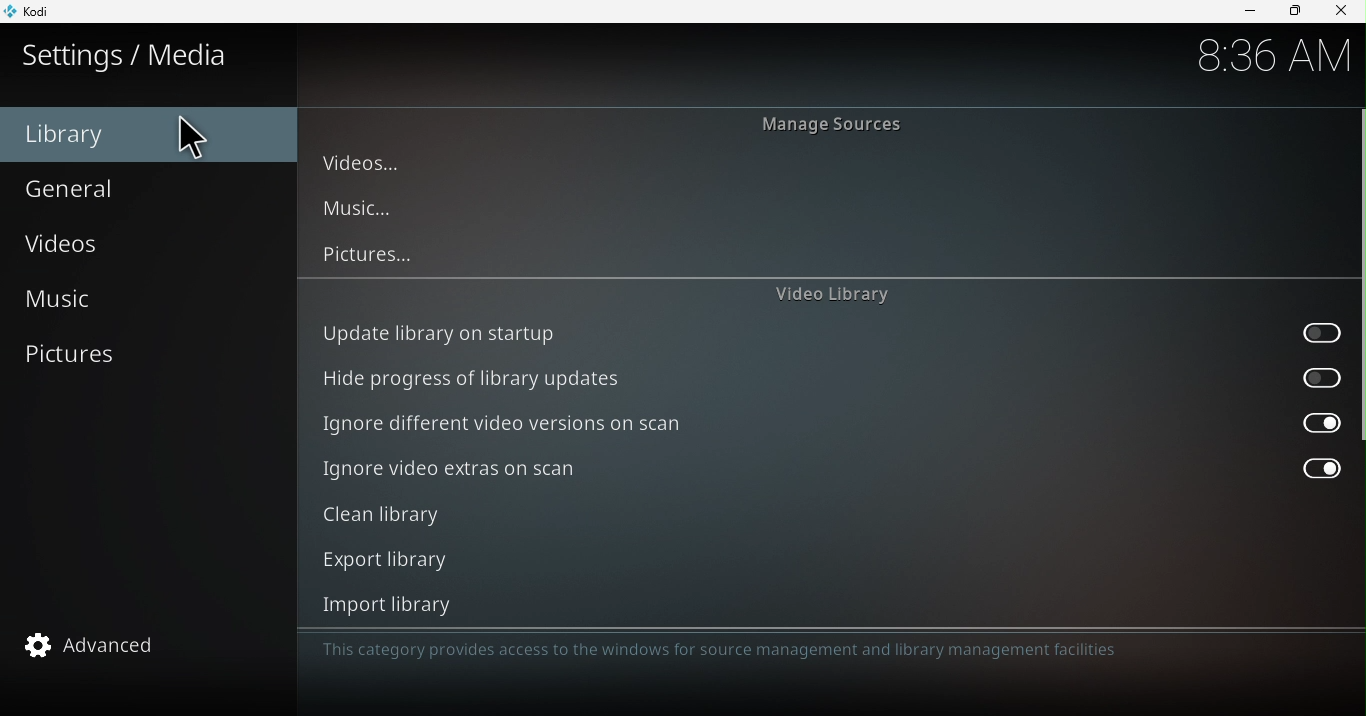 The height and width of the screenshot is (716, 1366). What do you see at coordinates (832, 295) in the screenshot?
I see `Video library` at bounding box center [832, 295].